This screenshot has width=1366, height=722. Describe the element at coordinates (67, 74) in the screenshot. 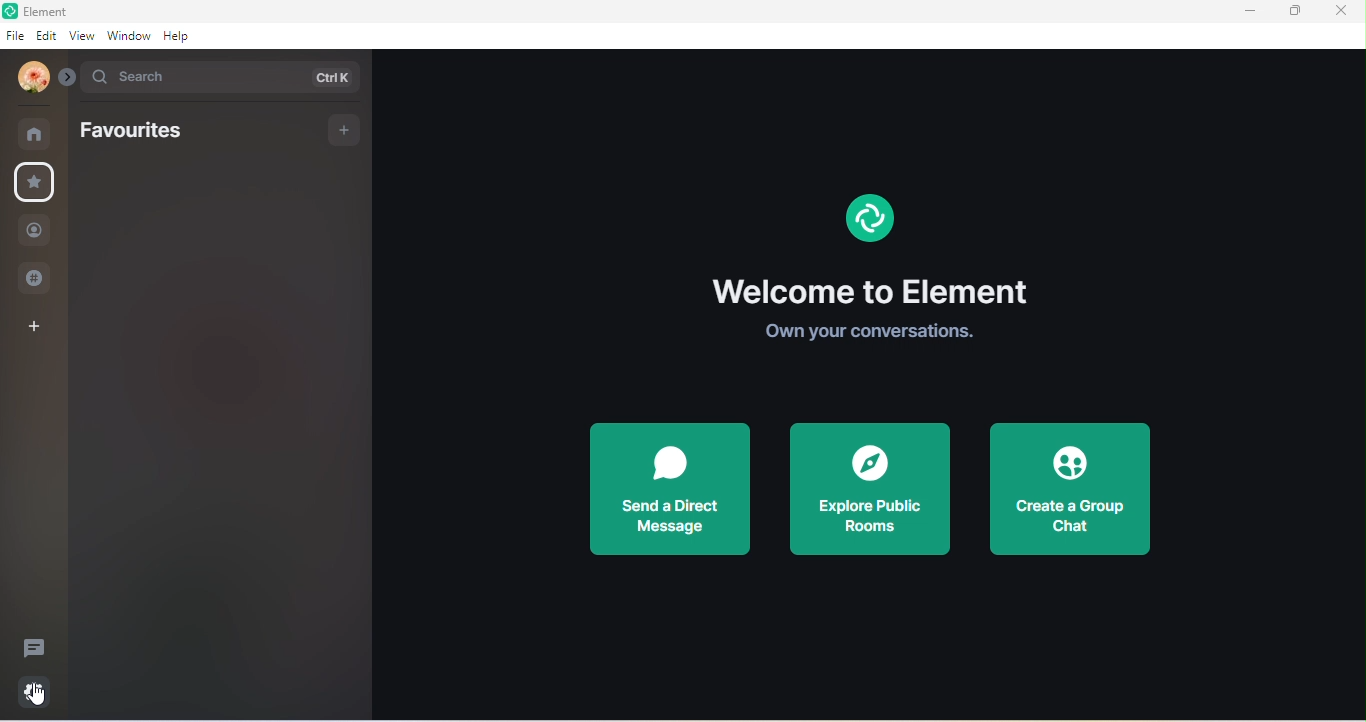

I see `expand` at that location.